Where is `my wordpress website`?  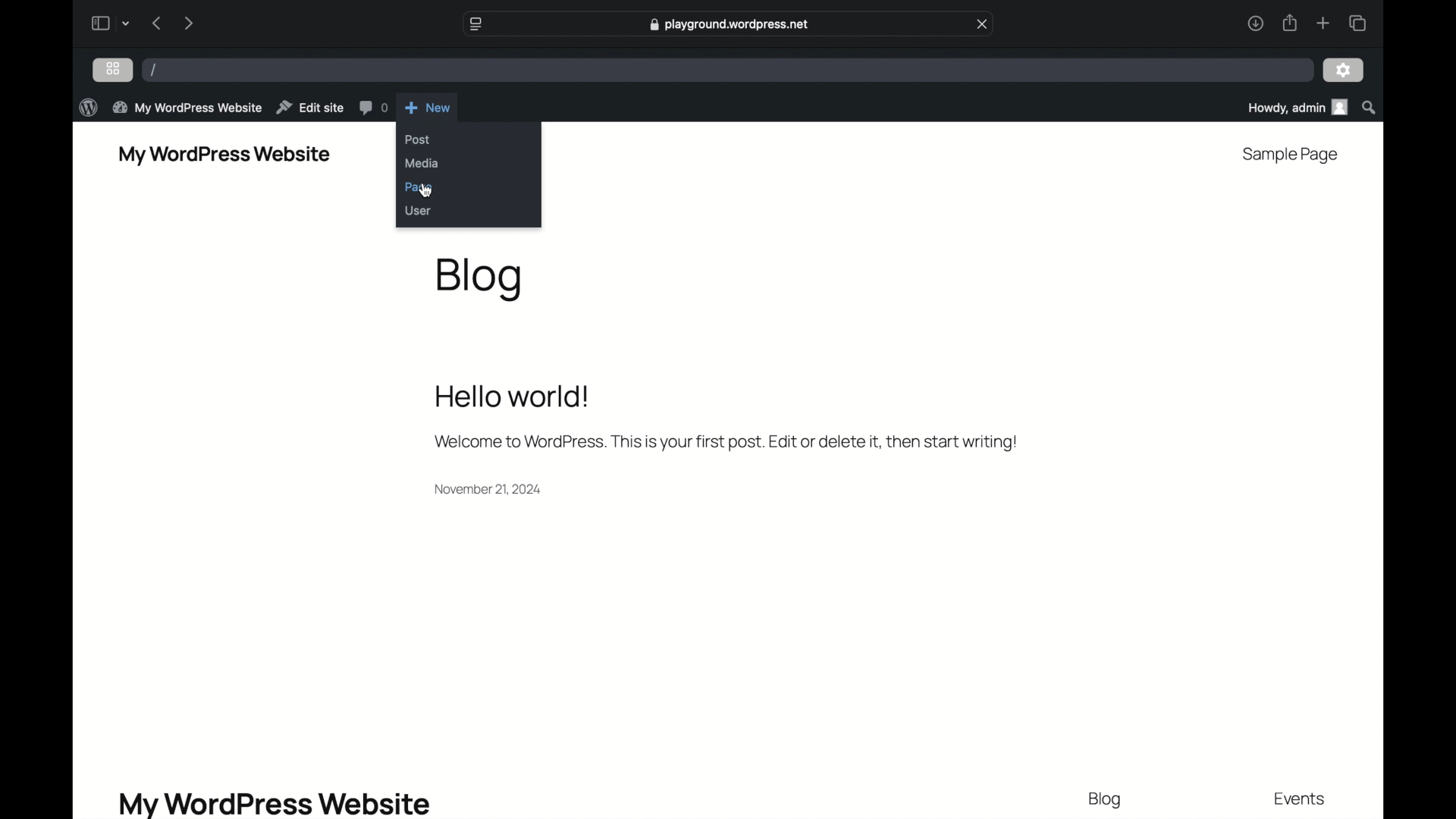 my wordpress website is located at coordinates (224, 155).